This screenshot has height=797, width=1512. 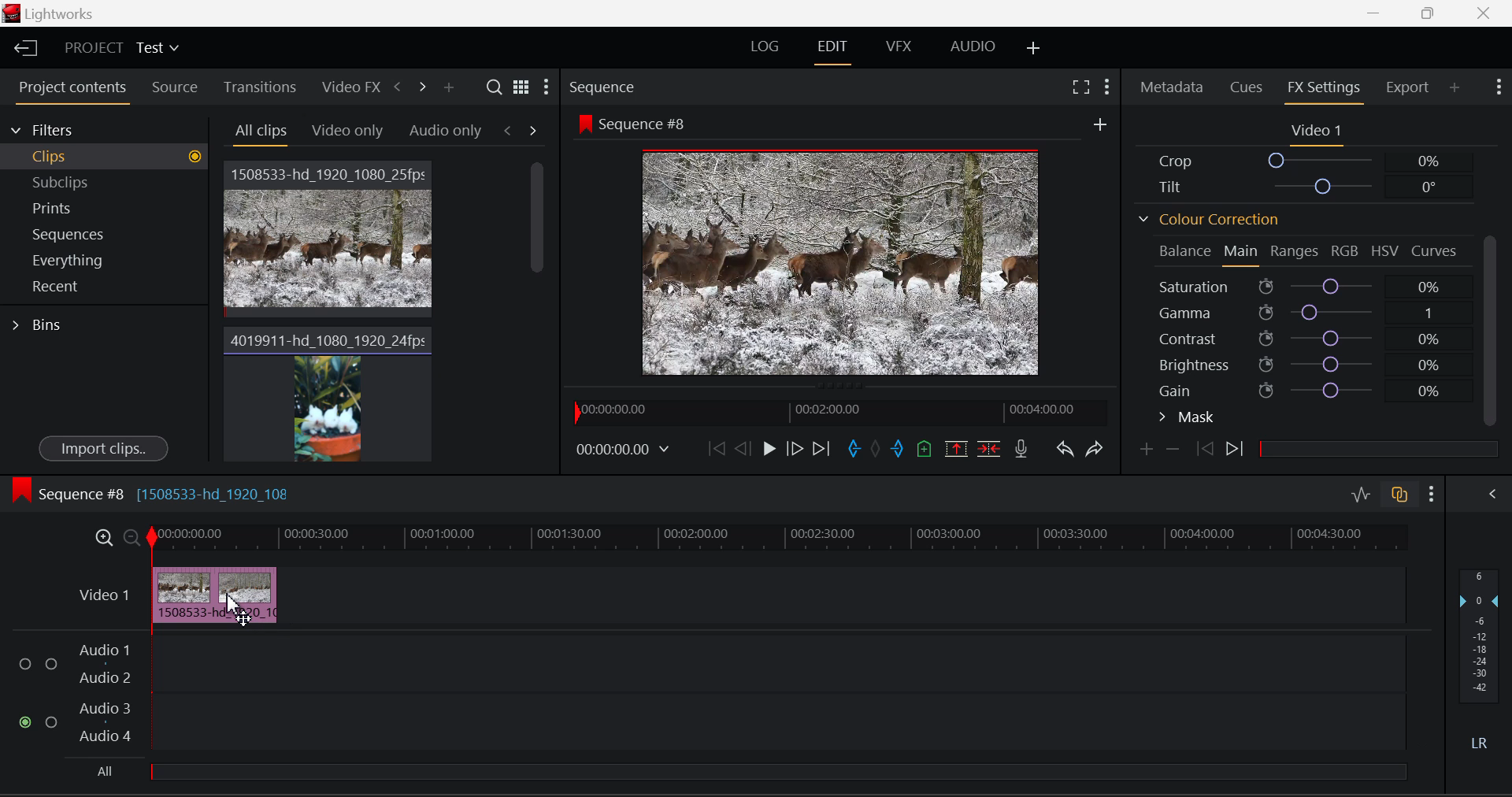 I want to click on Balance, so click(x=1181, y=252).